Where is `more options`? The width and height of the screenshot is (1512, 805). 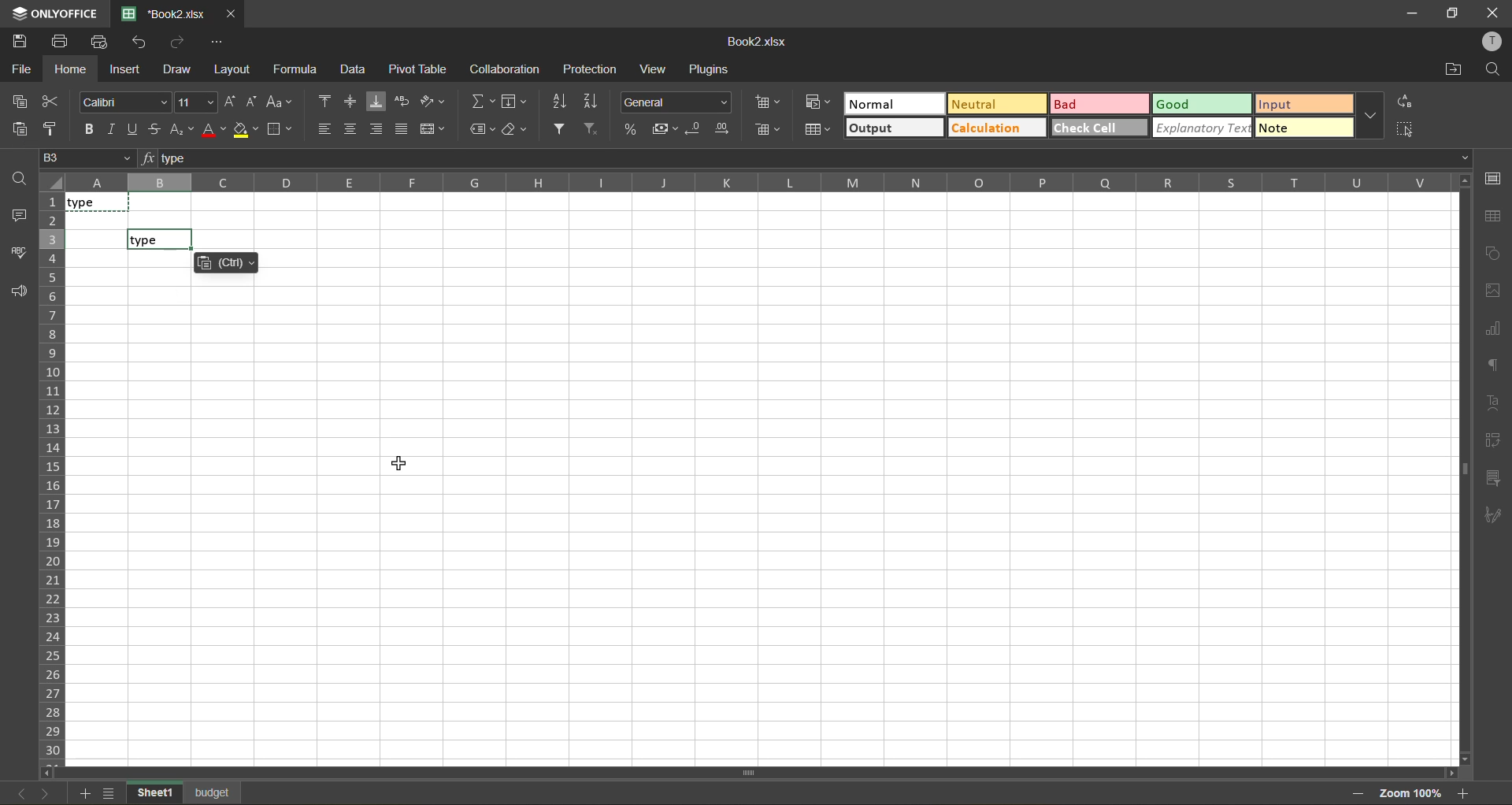
more options is located at coordinates (1369, 116).